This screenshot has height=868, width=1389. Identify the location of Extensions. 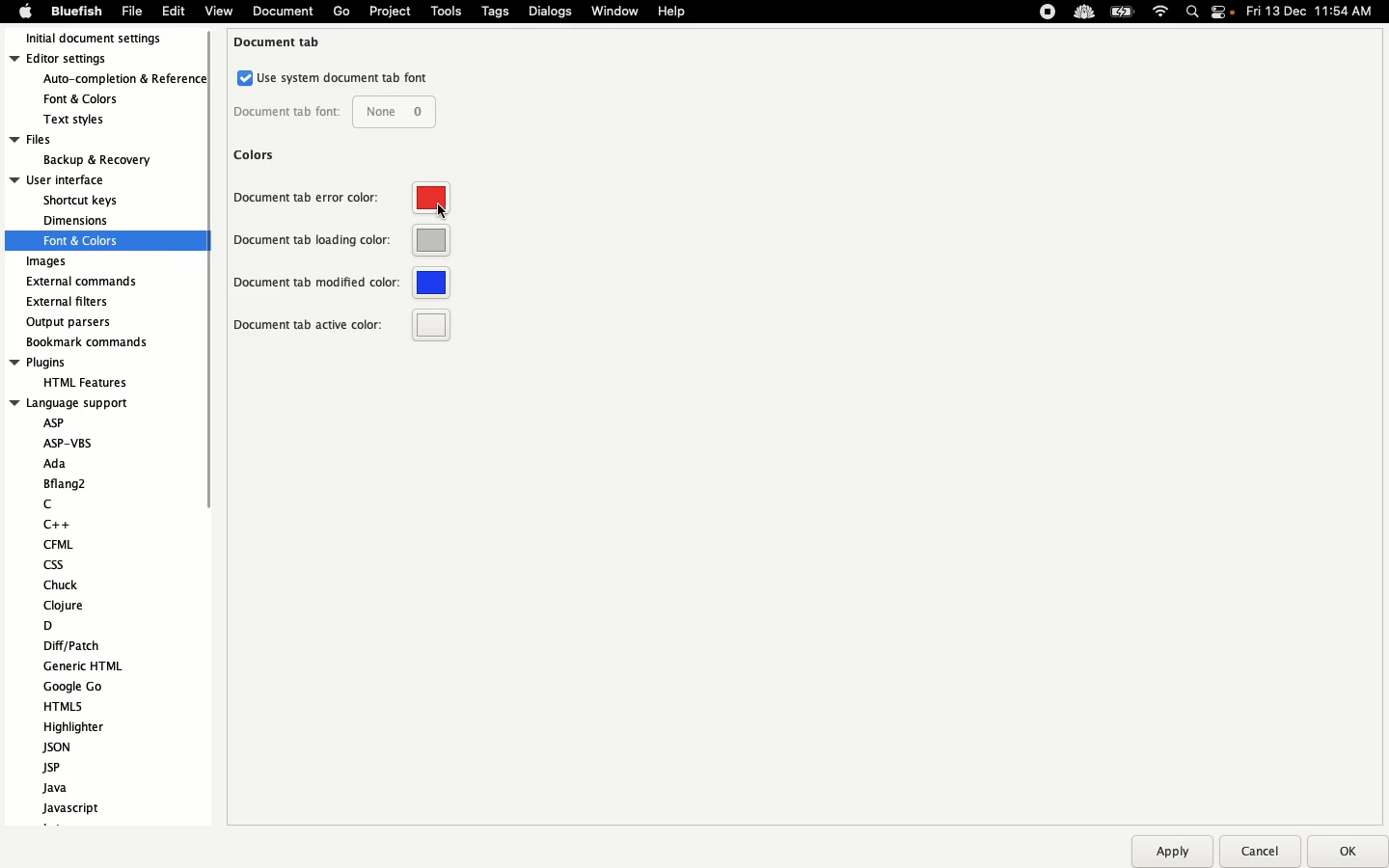
(1064, 12).